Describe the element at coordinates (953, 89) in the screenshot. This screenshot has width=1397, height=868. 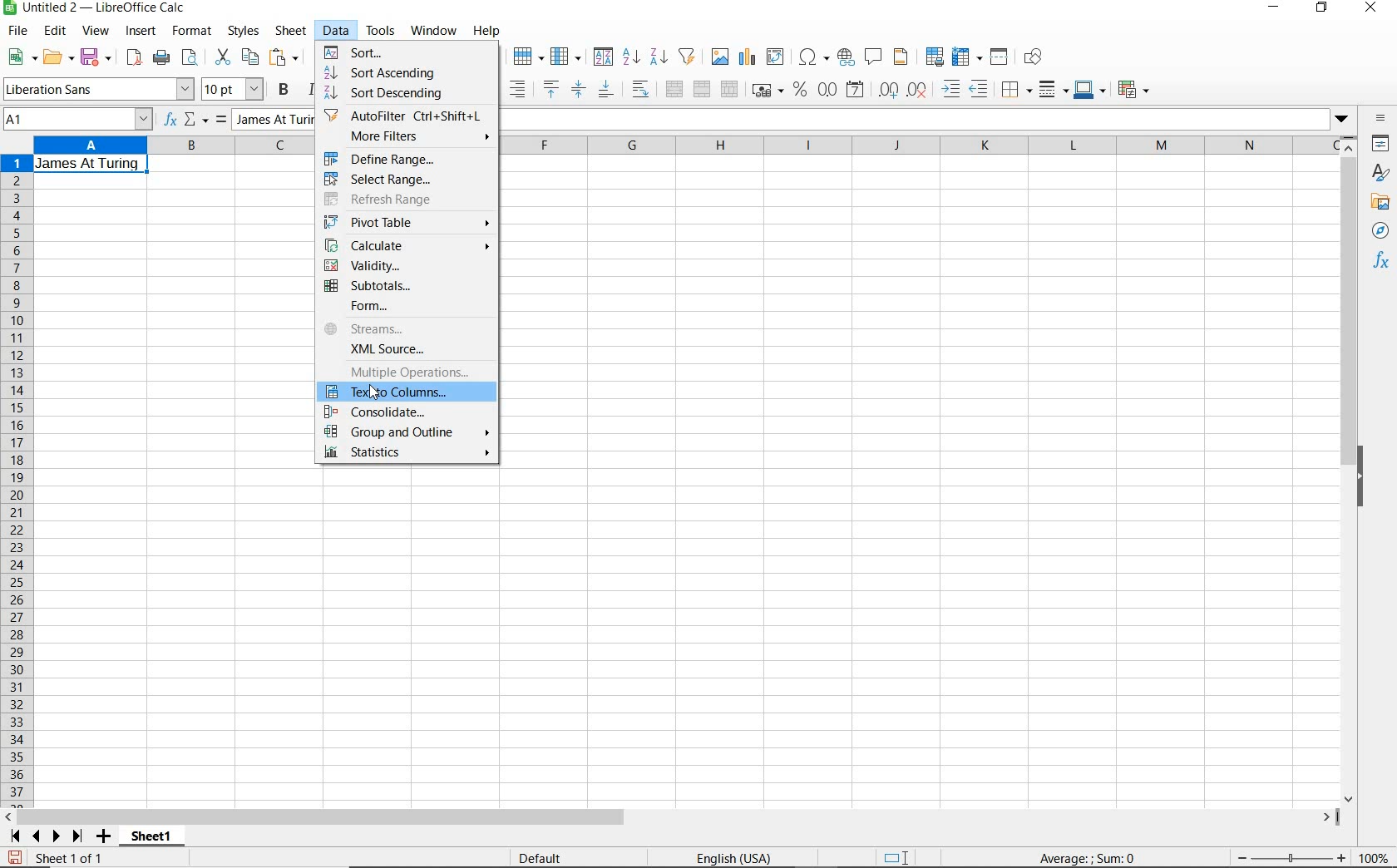
I see `increase indent` at that location.